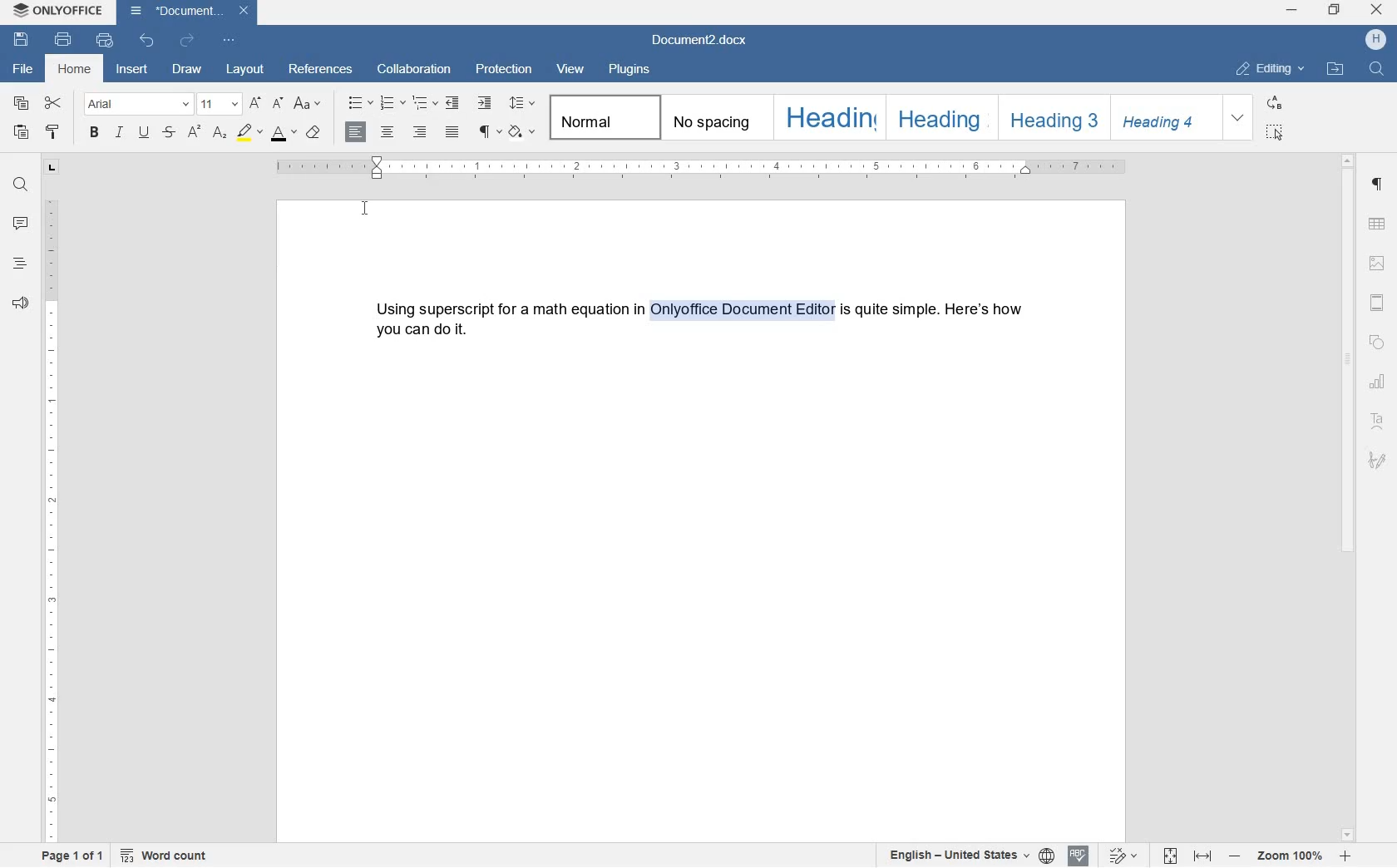 The height and width of the screenshot is (868, 1397). I want to click on highlight color, so click(248, 131).